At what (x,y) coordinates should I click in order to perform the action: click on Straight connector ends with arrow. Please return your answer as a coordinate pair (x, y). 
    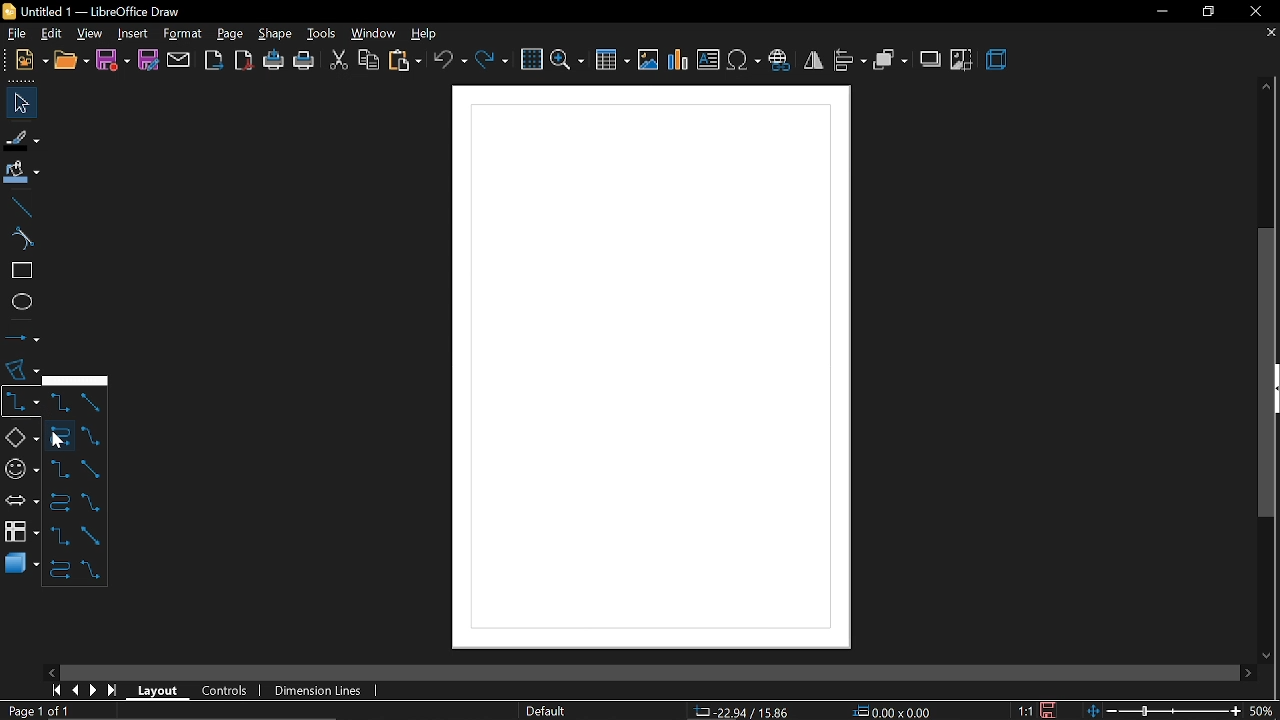
    Looking at the image, I should click on (92, 435).